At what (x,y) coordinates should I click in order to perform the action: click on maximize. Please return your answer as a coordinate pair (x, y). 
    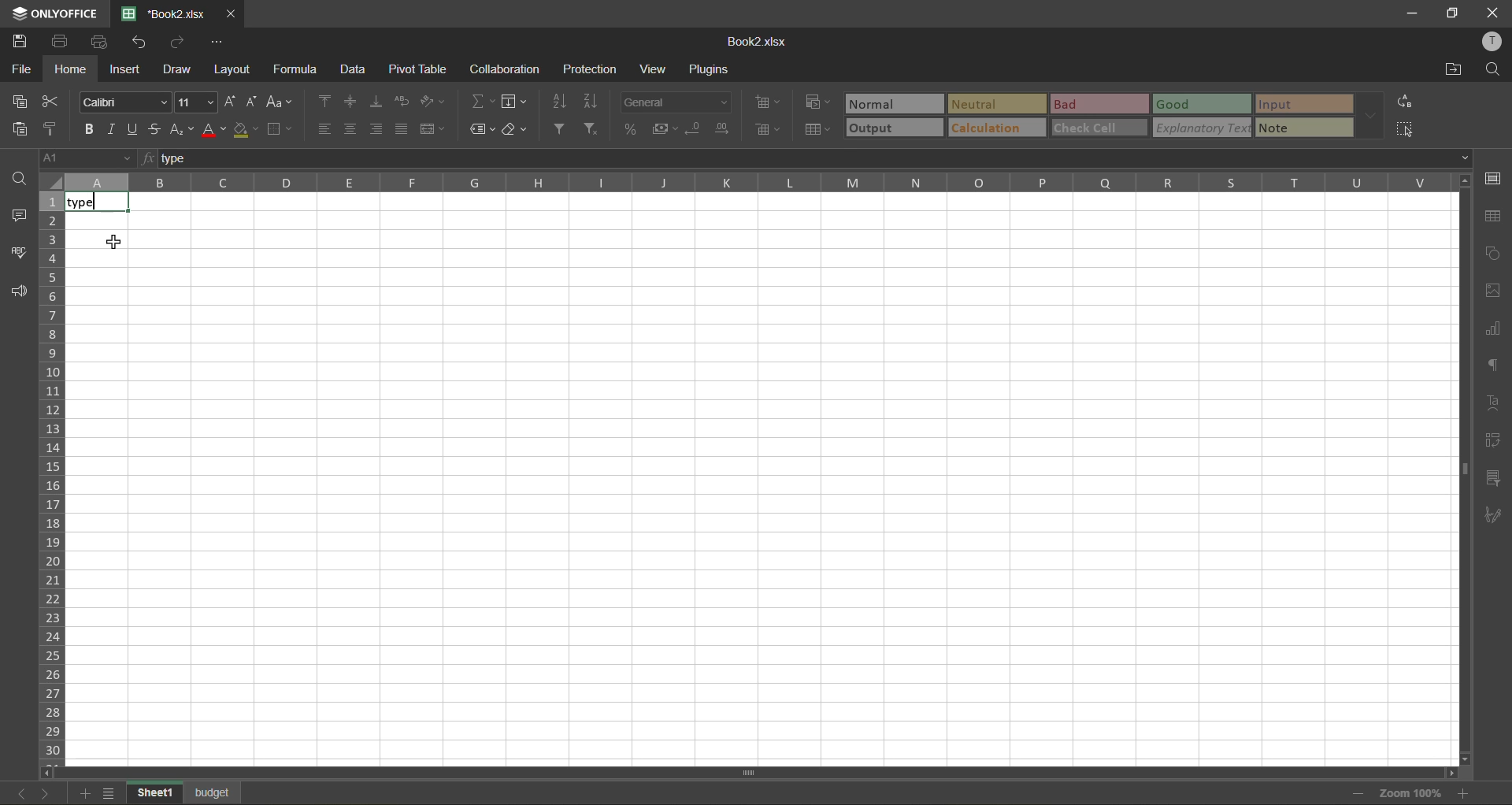
    Looking at the image, I should click on (1452, 13).